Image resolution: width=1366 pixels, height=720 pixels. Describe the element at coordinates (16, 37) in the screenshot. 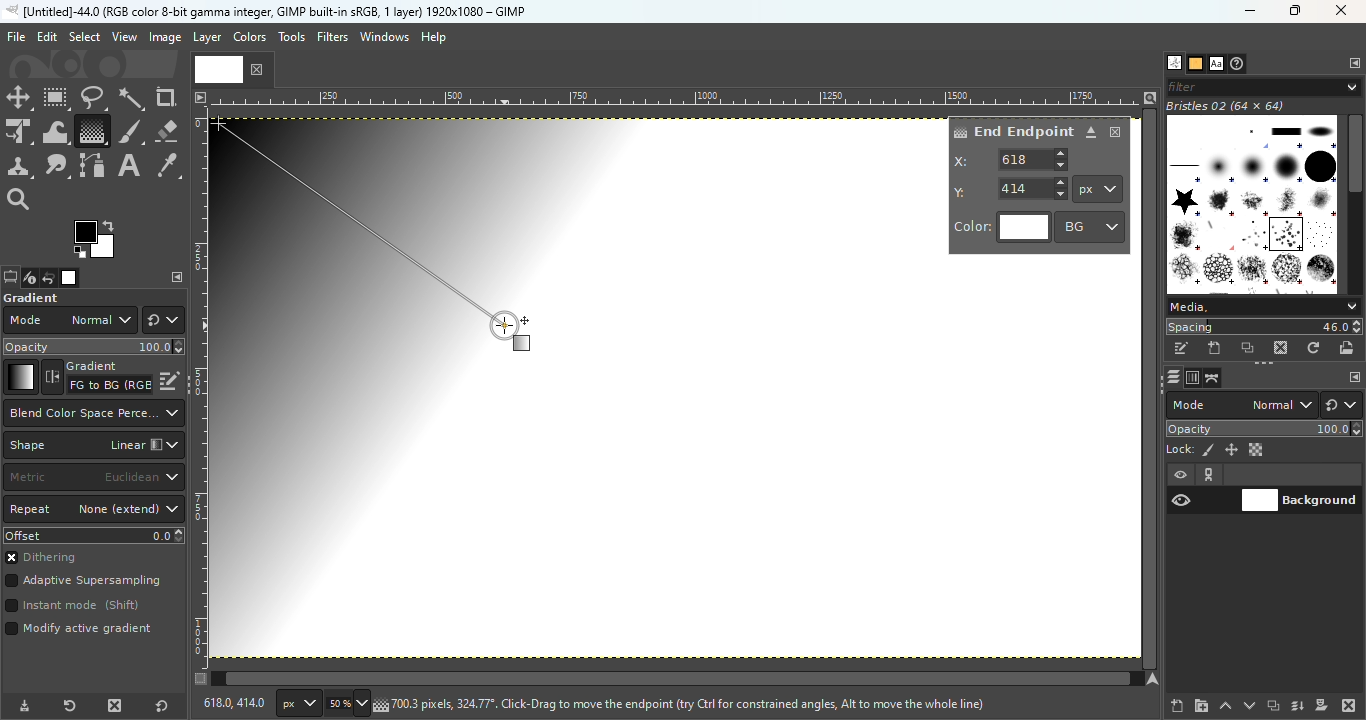

I see `File` at that location.